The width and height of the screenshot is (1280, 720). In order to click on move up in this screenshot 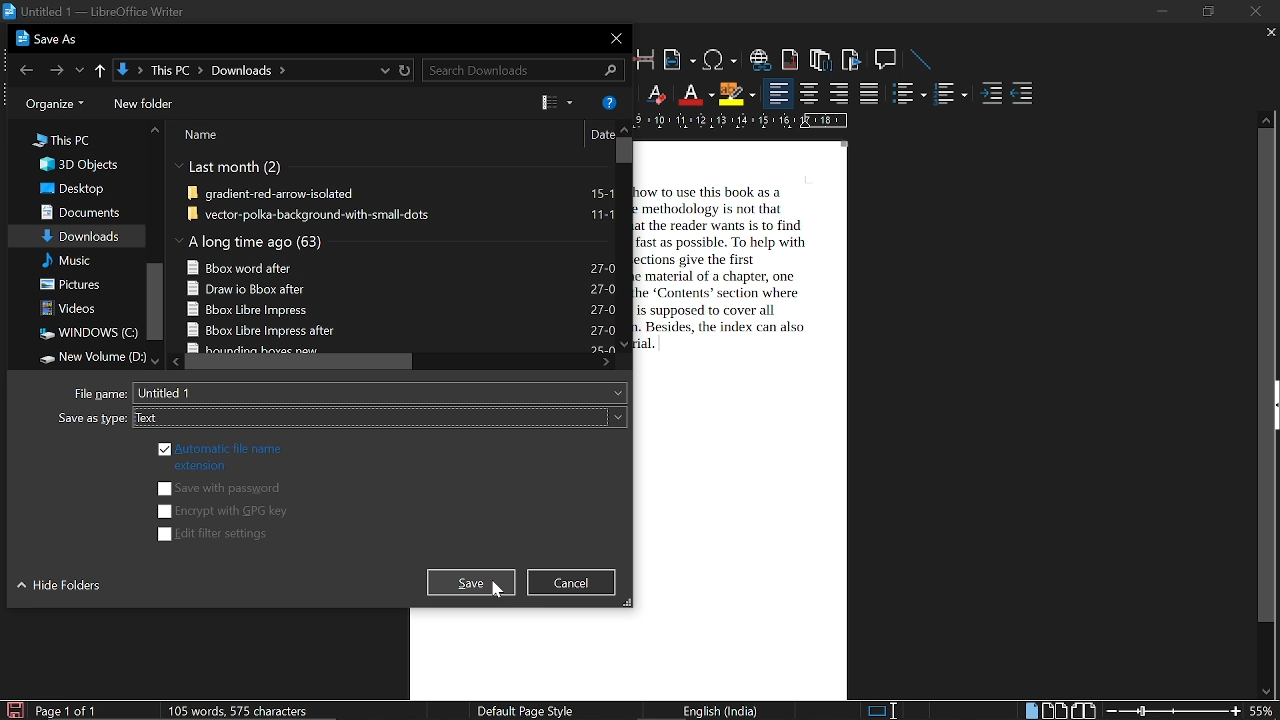, I will do `click(622, 129)`.